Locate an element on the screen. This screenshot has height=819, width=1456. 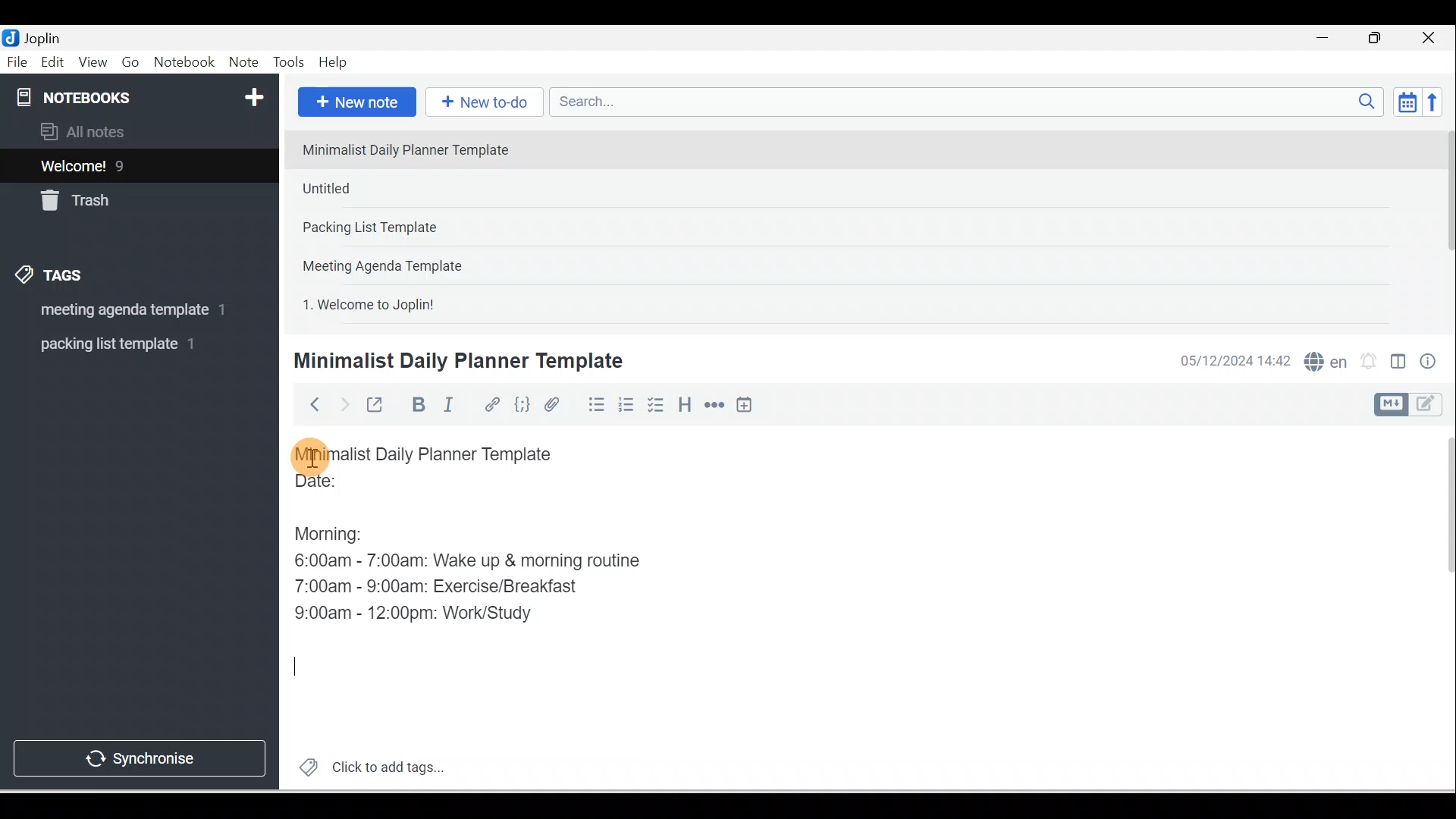
Minimise is located at coordinates (1327, 39).